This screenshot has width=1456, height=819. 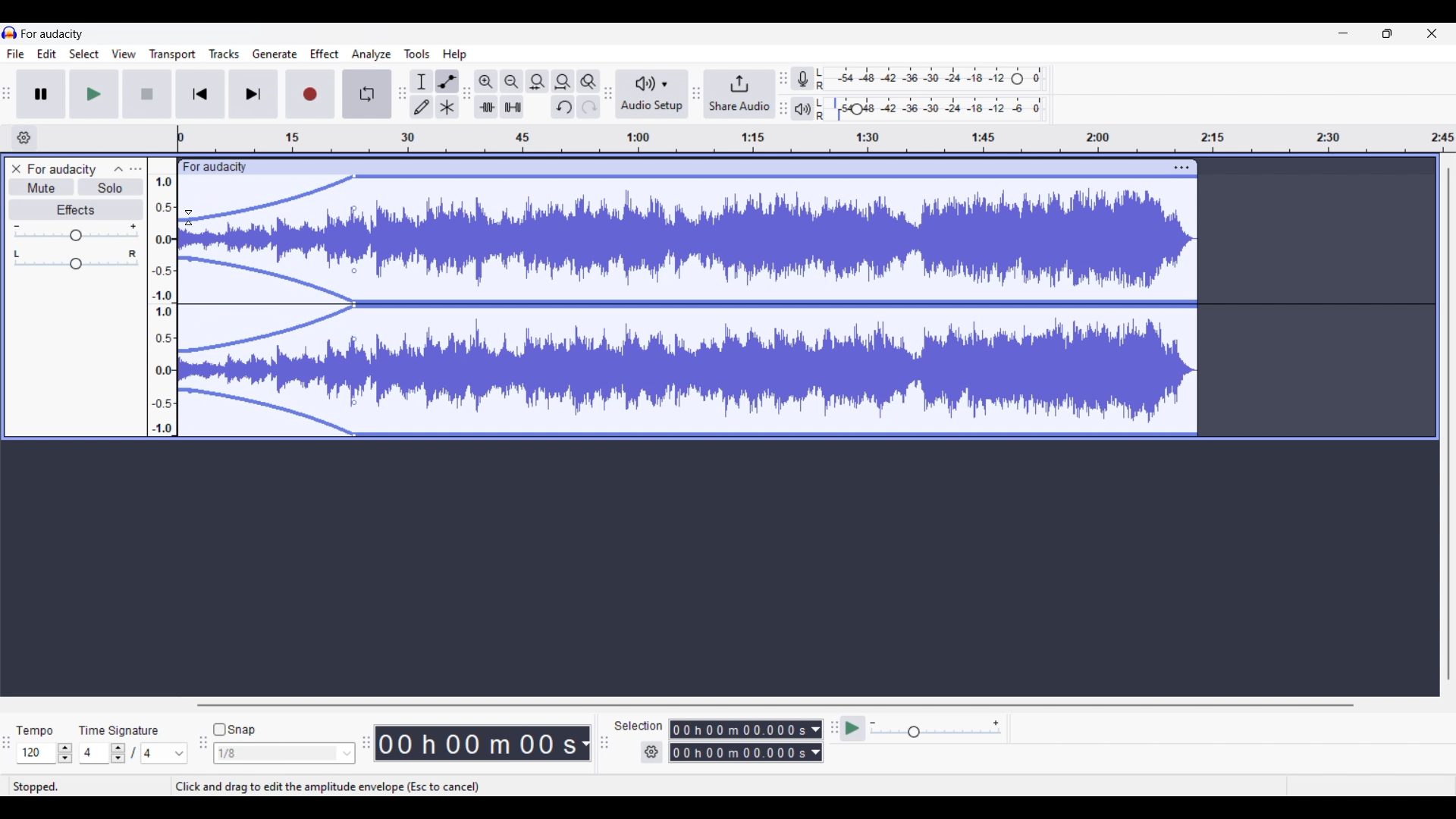 What do you see at coordinates (564, 81) in the screenshot?
I see `Fit project to width` at bounding box center [564, 81].